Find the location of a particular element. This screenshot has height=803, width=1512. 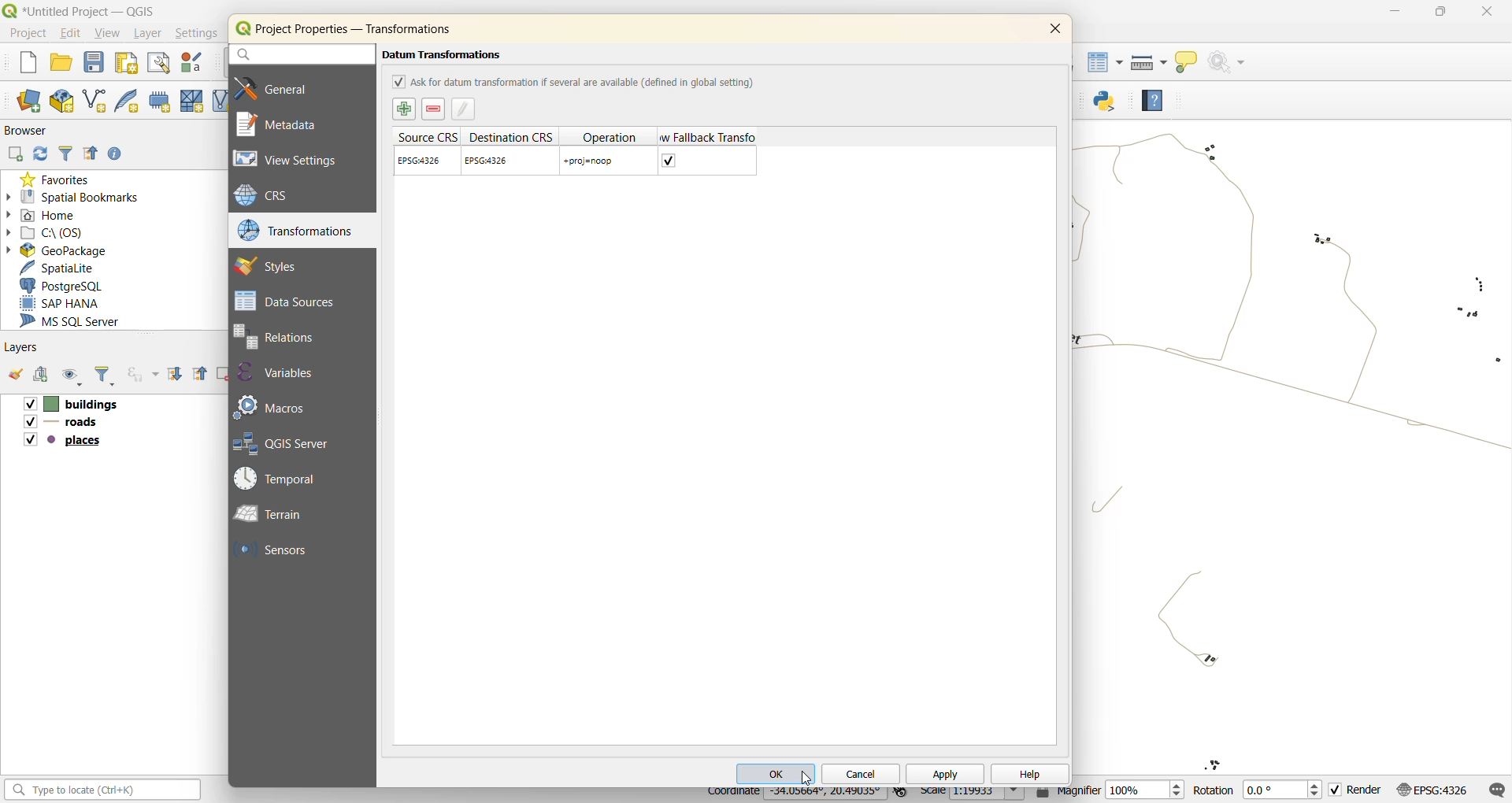

new data source manager is located at coordinates (33, 102).